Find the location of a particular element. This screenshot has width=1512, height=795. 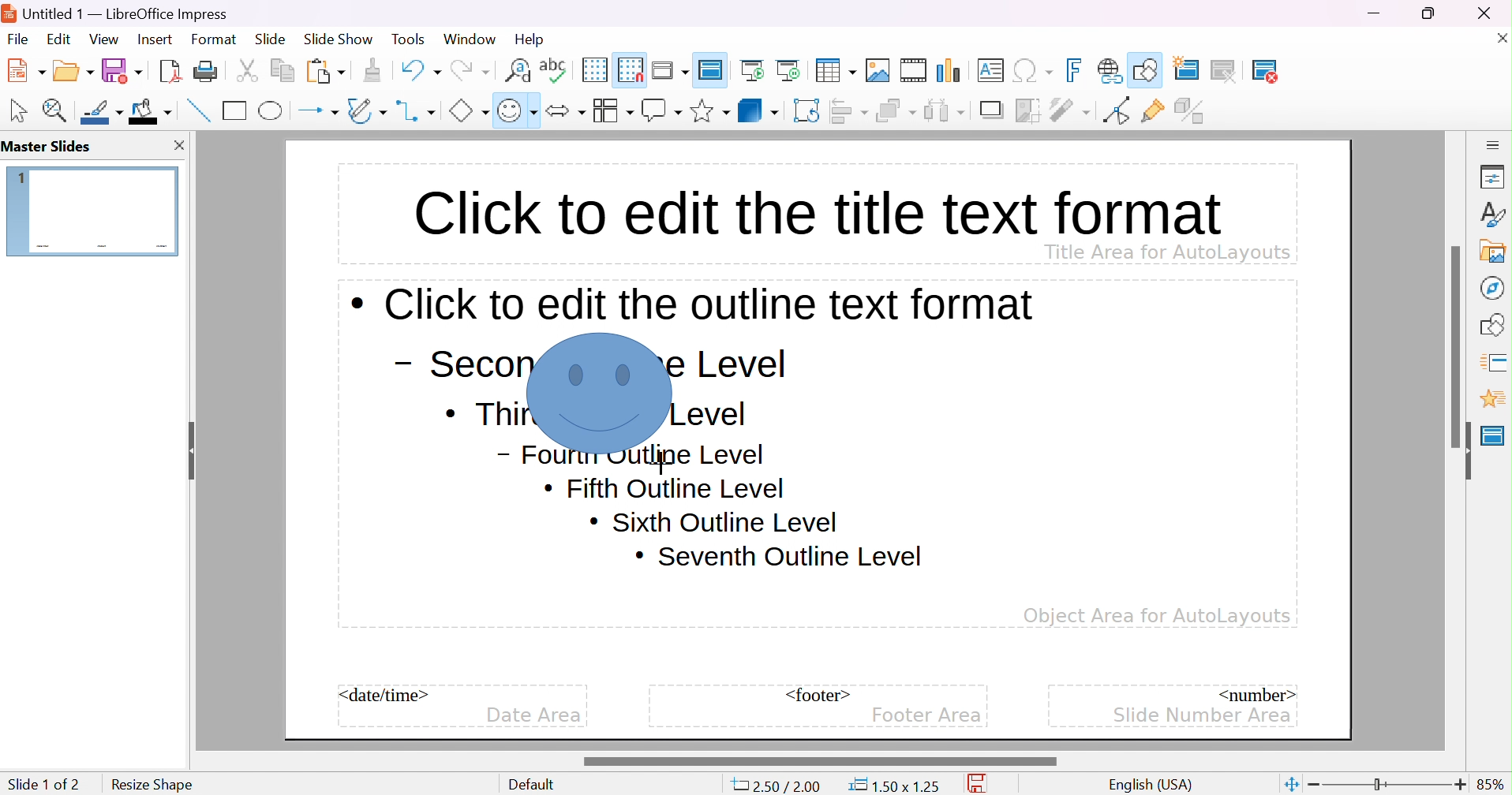

3D onjects is located at coordinates (758, 110).